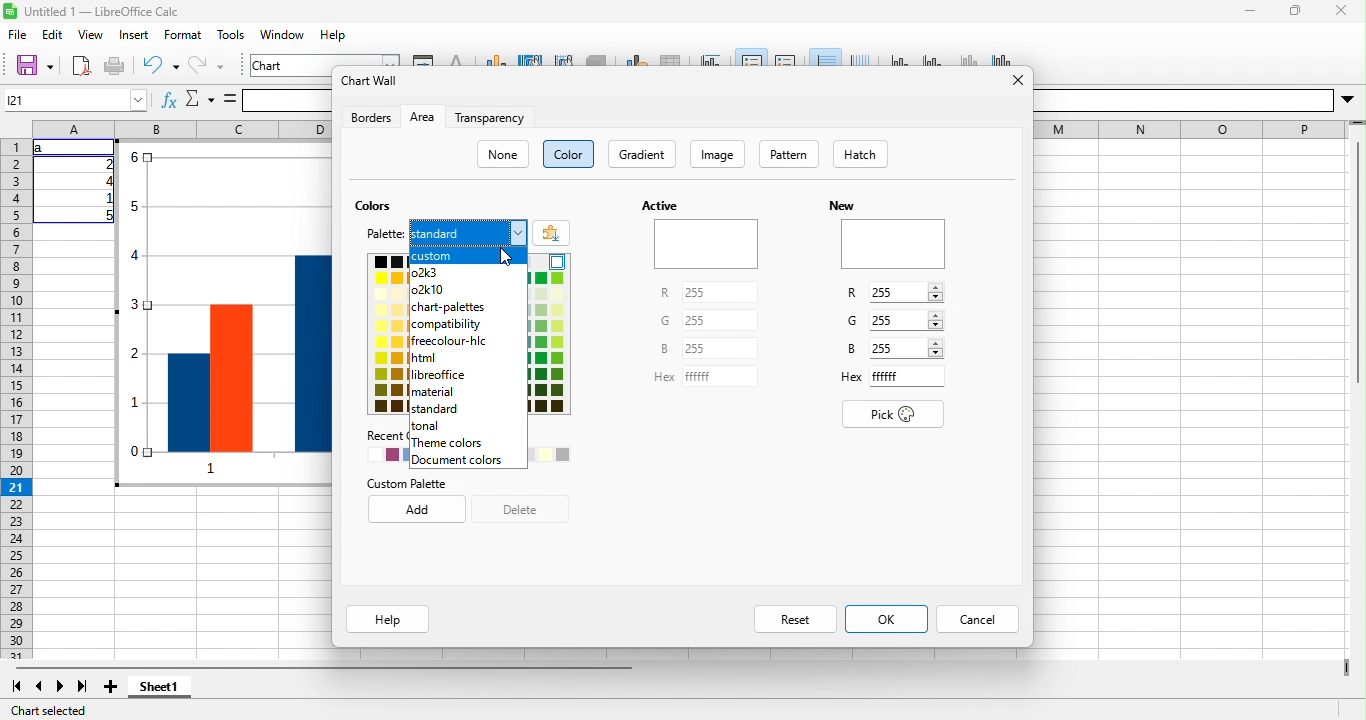 Image resolution: width=1366 pixels, height=720 pixels. Describe the element at coordinates (795, 619) in the screenshot. I see `reset` at that location.